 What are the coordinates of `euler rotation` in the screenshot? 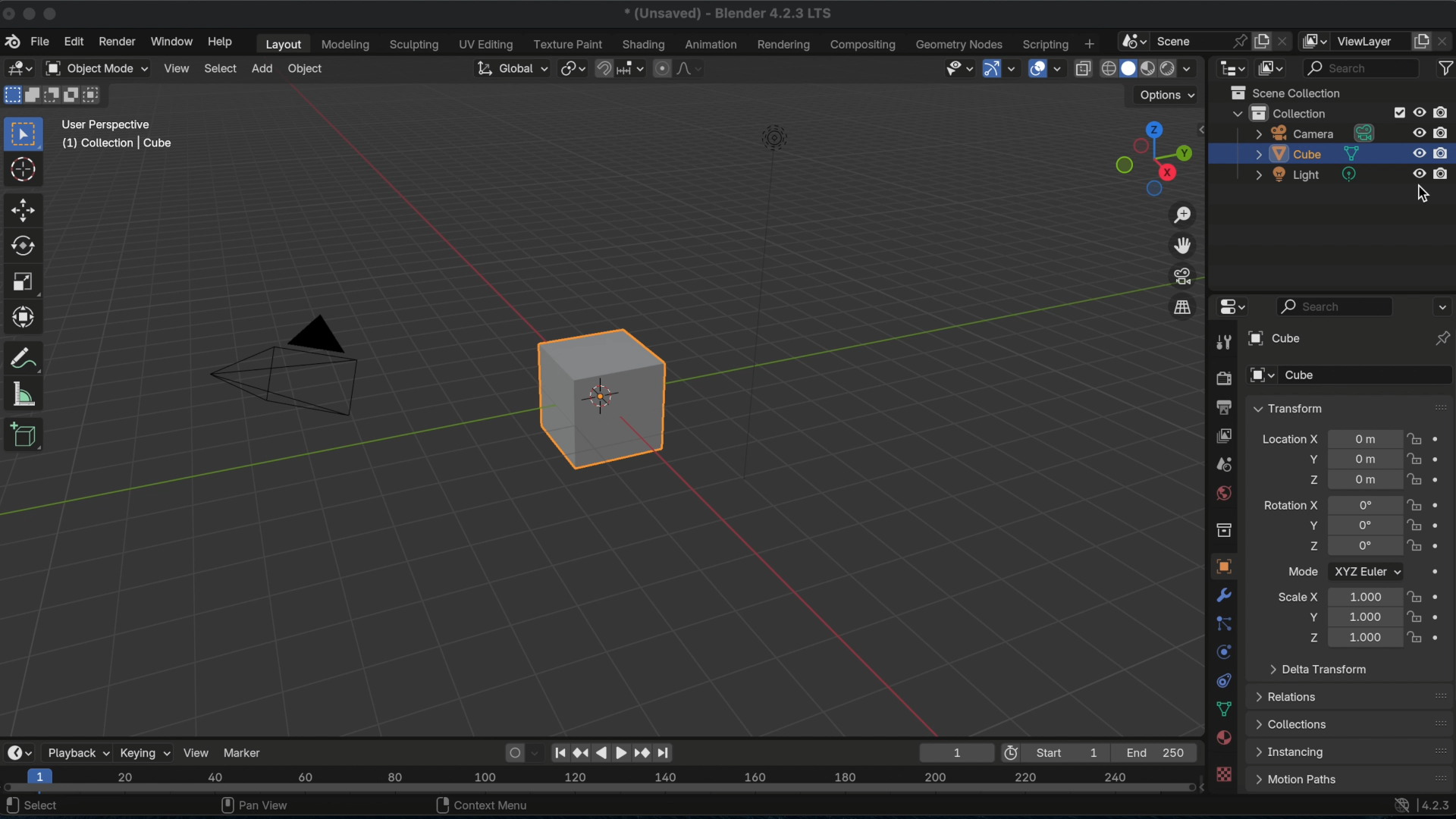 It's located at (1363, 526).